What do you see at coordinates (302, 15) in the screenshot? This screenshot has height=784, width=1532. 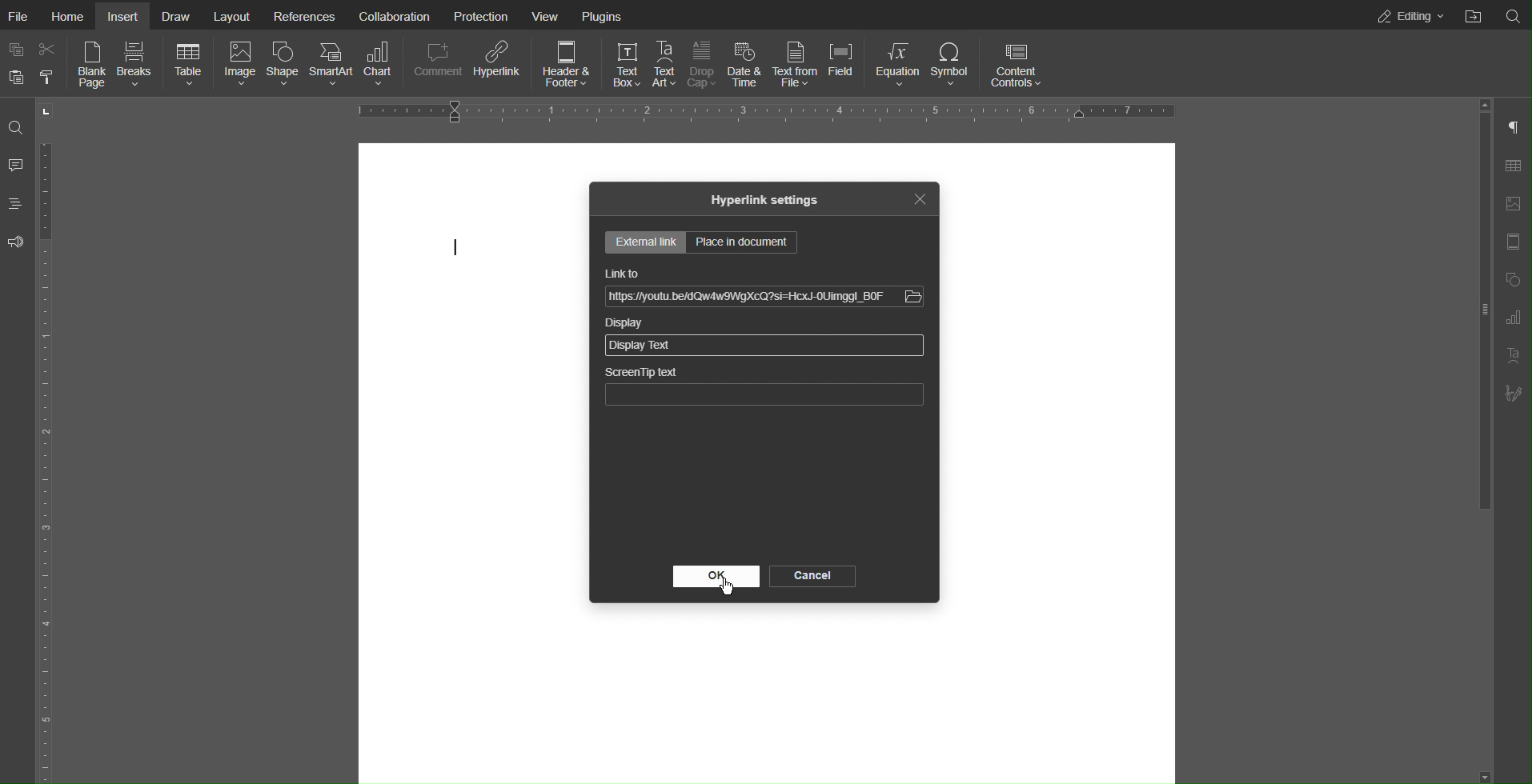 I see `References` at bounding box center [302, 15].